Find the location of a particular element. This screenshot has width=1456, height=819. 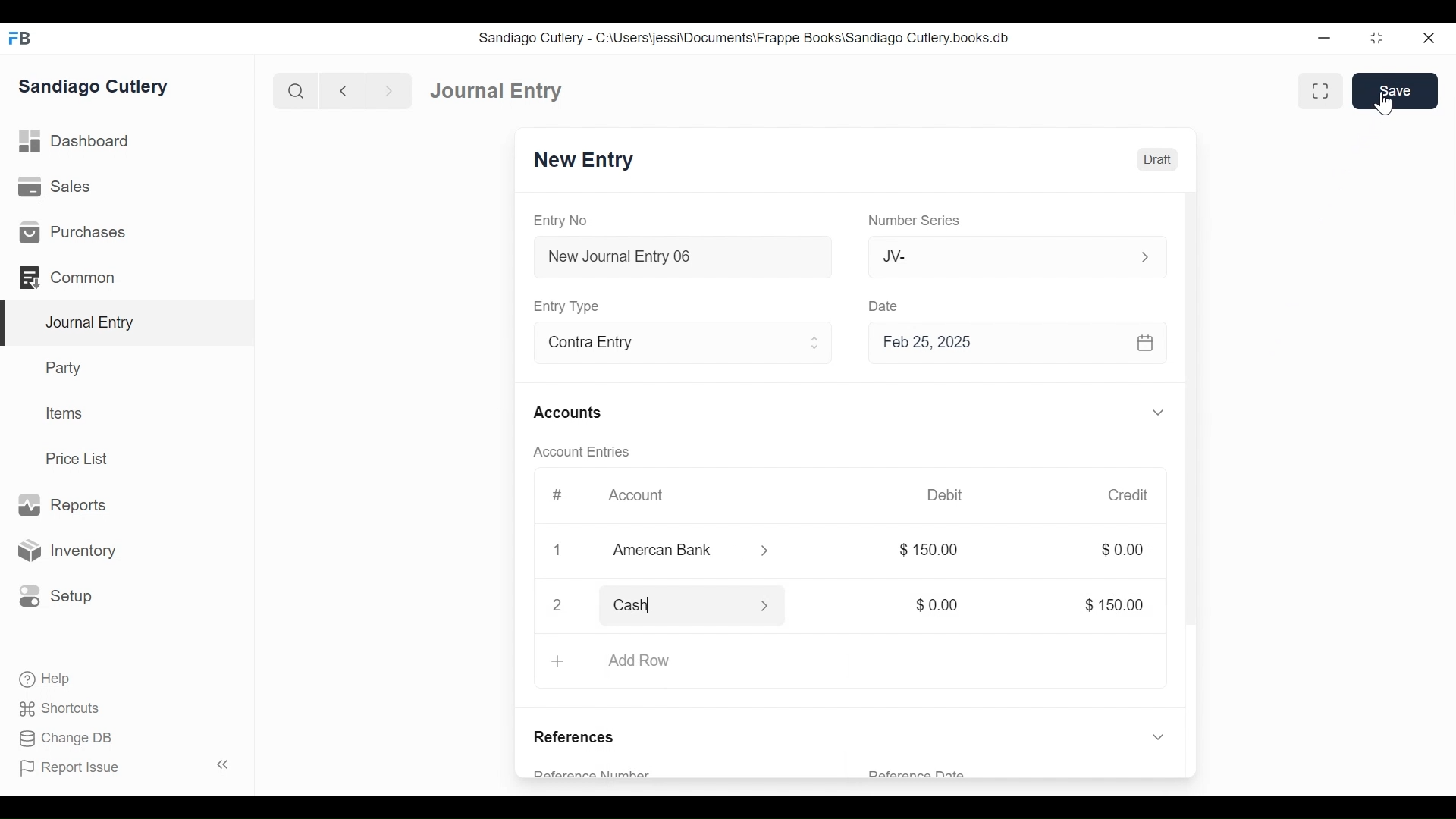

Items is located at coordinates (65, 413).